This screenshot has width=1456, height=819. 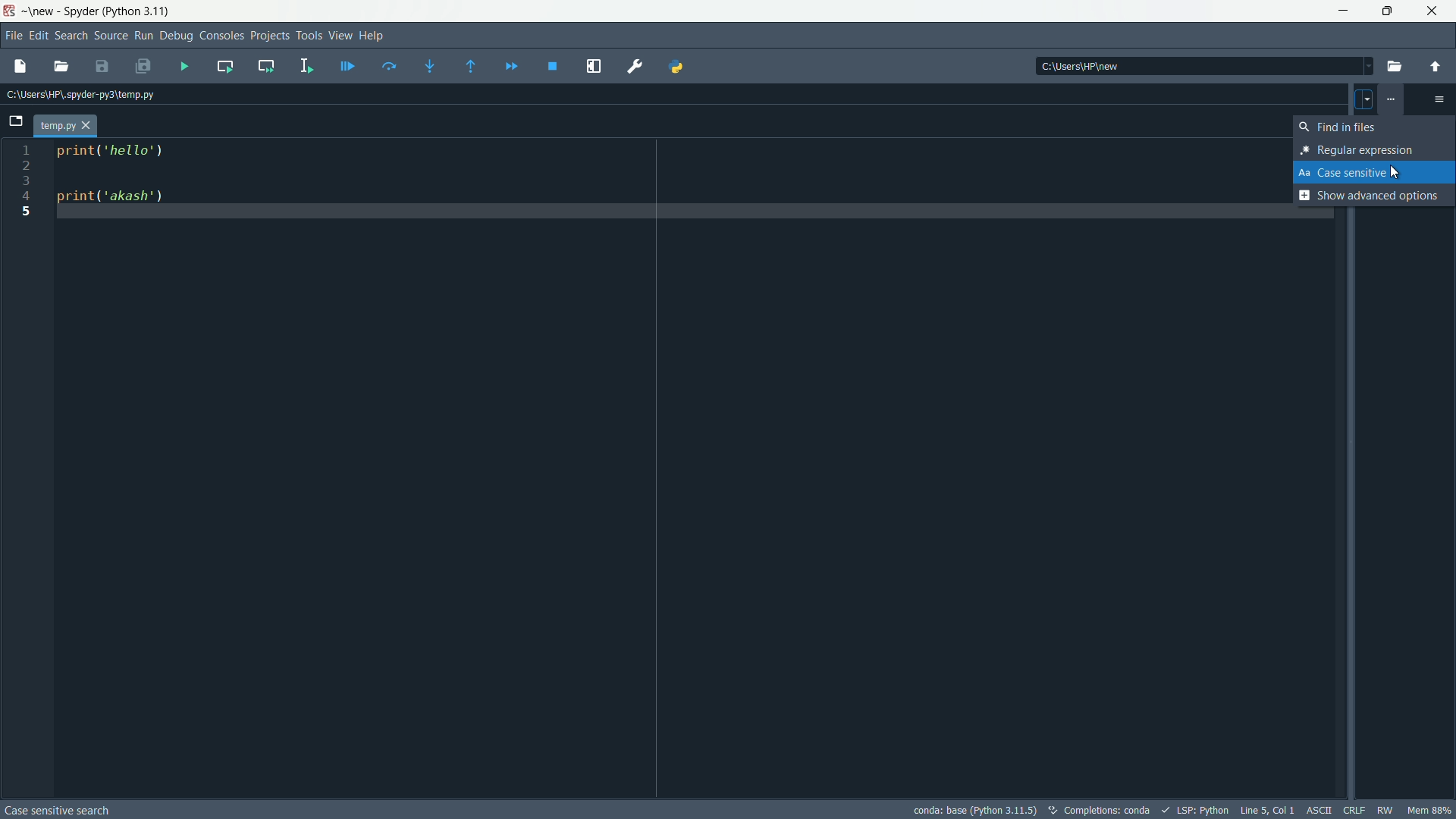 What do you see at coordinates (267, 66) in the screenshot?
I see `run current cell and go to next one` at bounding box center [267, 66].